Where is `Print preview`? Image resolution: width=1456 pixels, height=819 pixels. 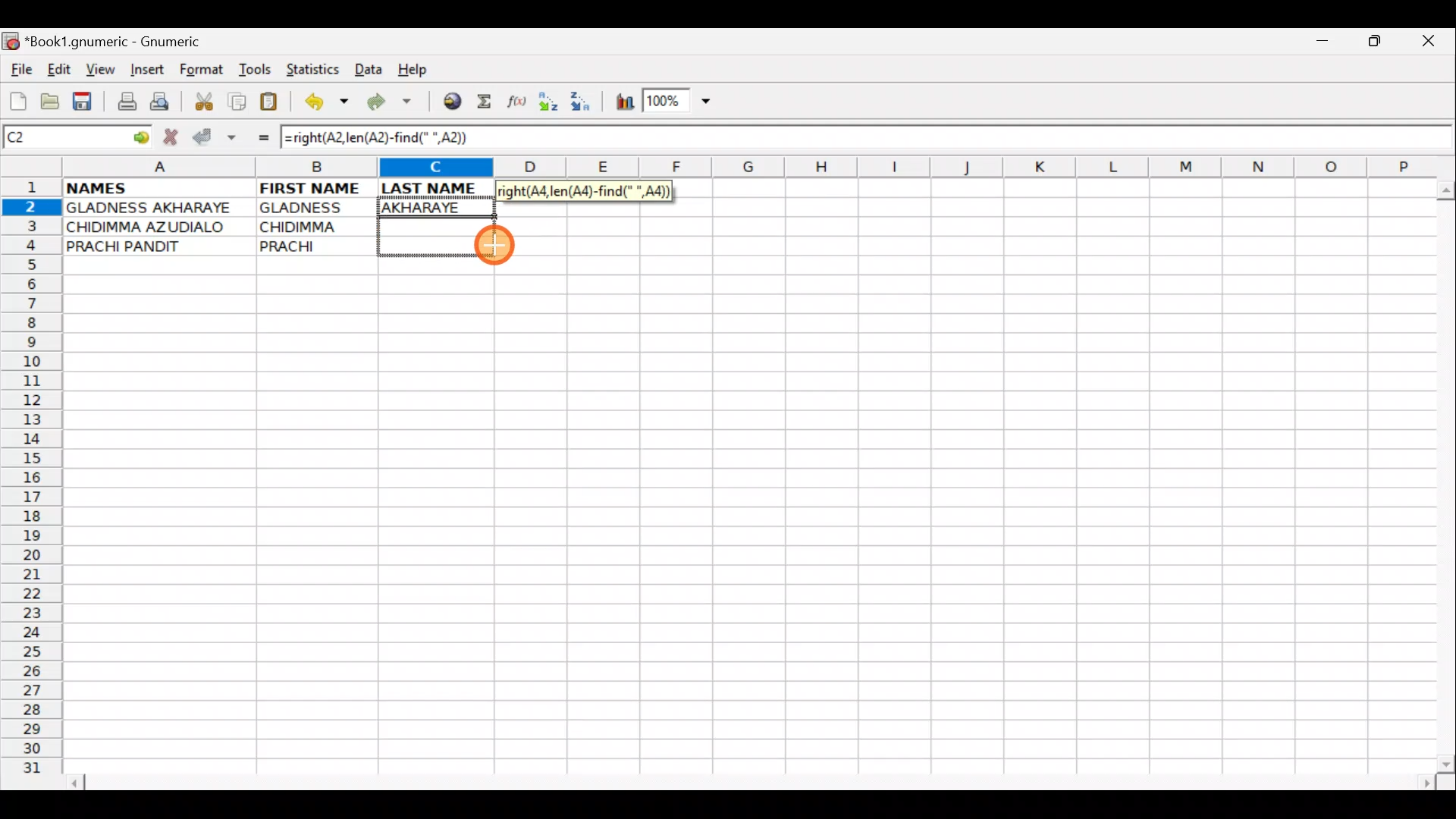 Print preview is located at coordinates (160, 105).